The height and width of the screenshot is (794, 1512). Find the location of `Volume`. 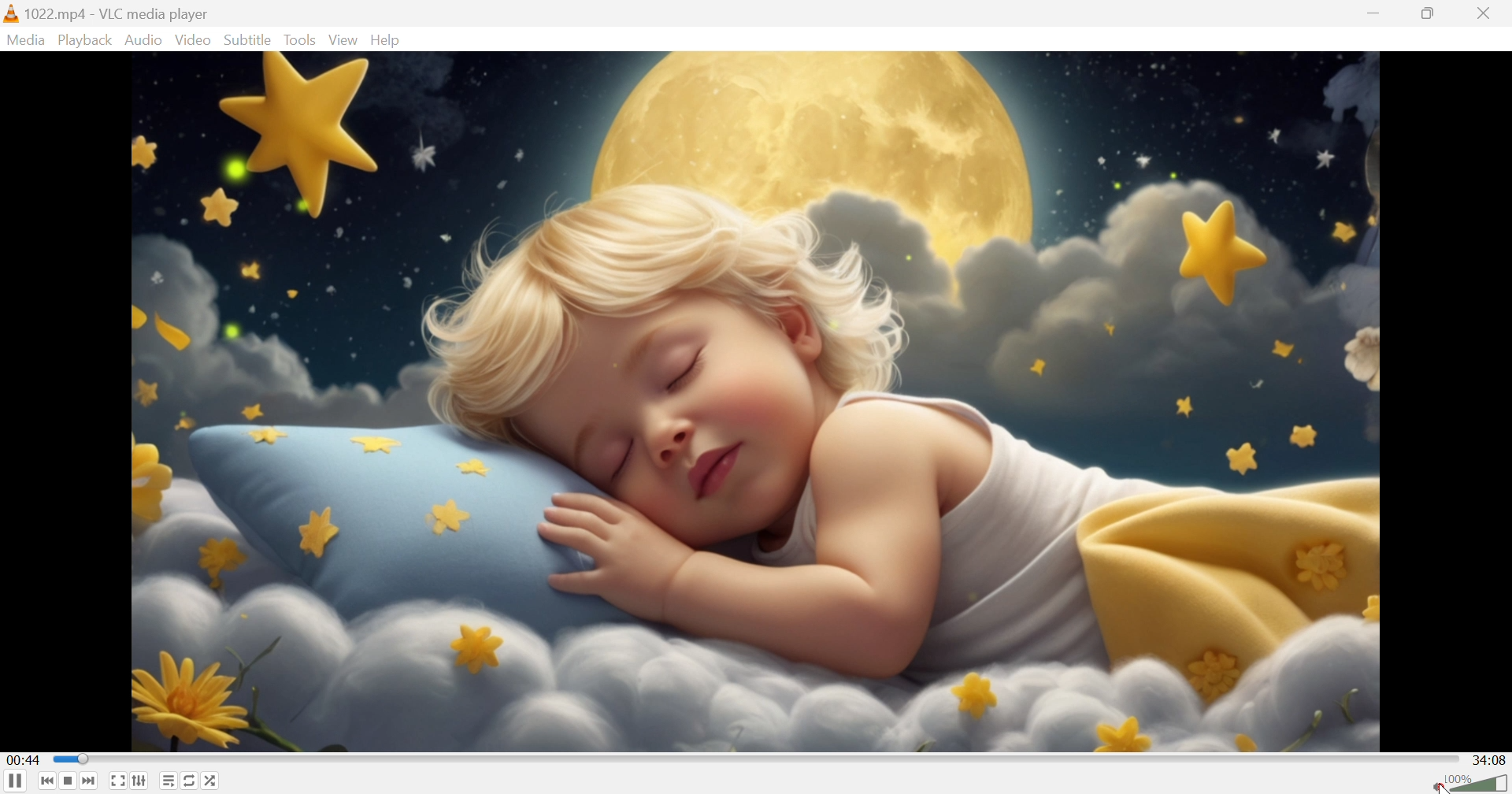

Volume is located at coordinates (1479, 783).